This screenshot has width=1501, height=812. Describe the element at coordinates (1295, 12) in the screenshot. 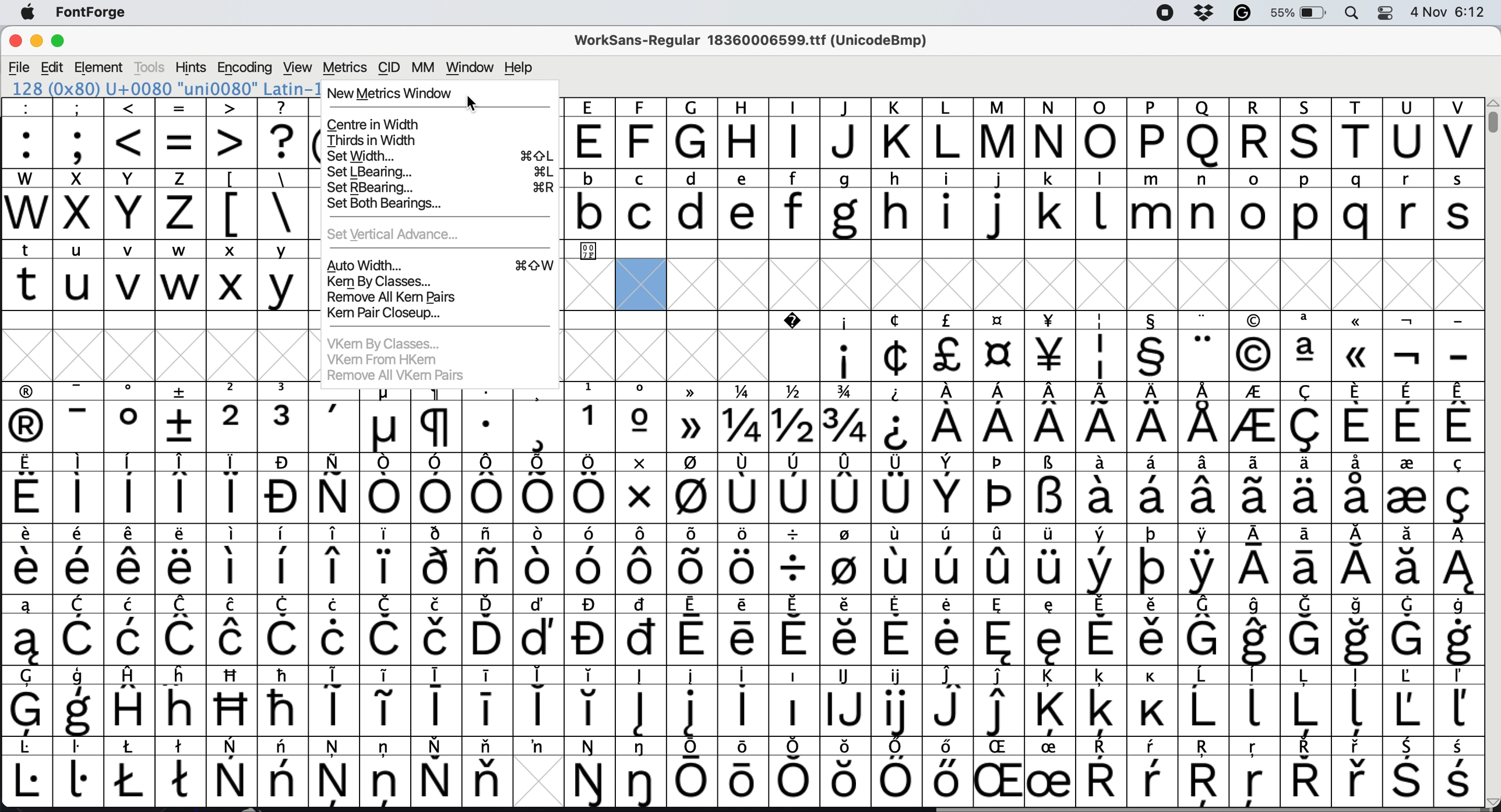

I see `55%` at that location.